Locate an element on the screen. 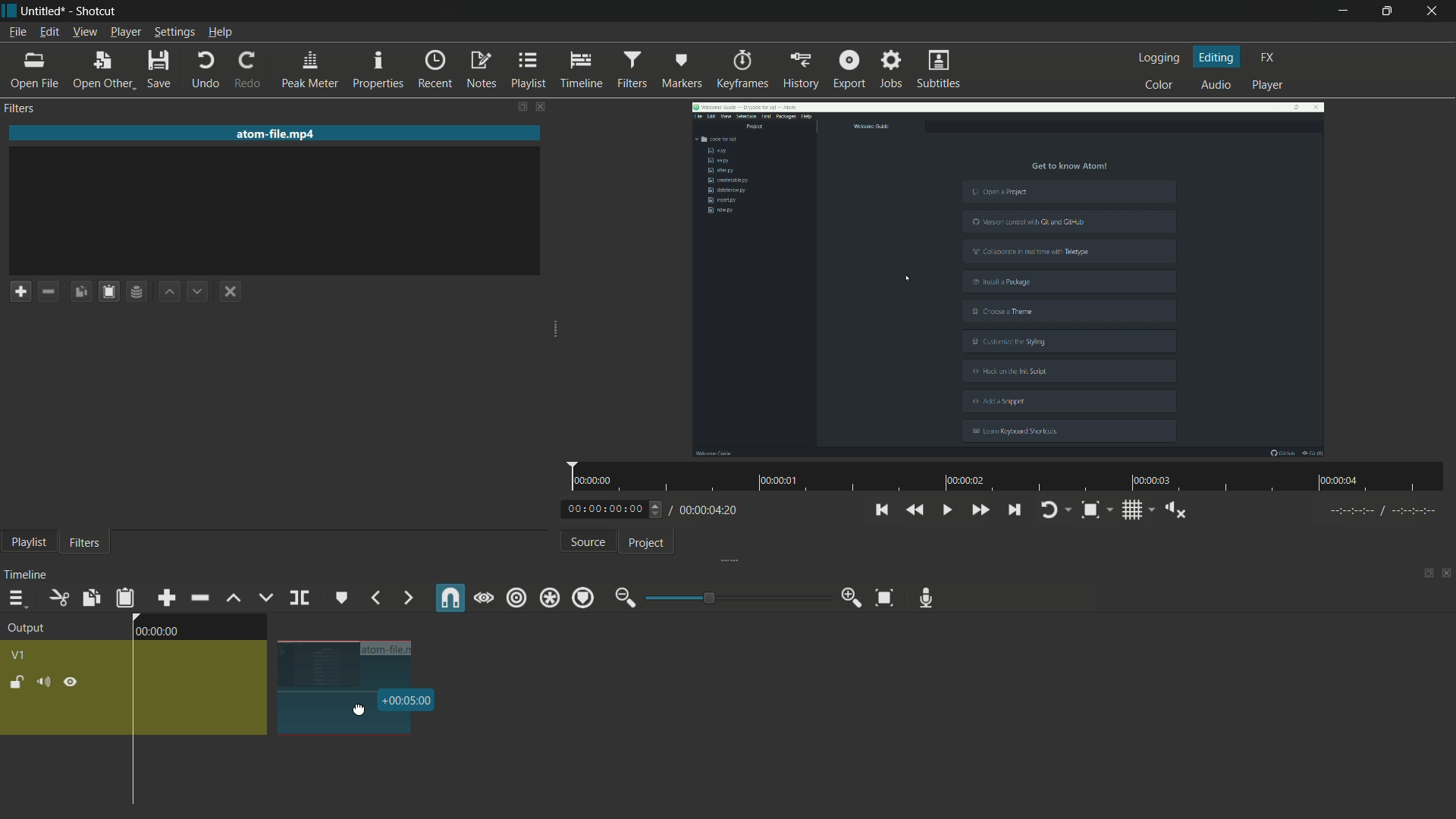  quickly play backward is located at coordinates (915, 510).